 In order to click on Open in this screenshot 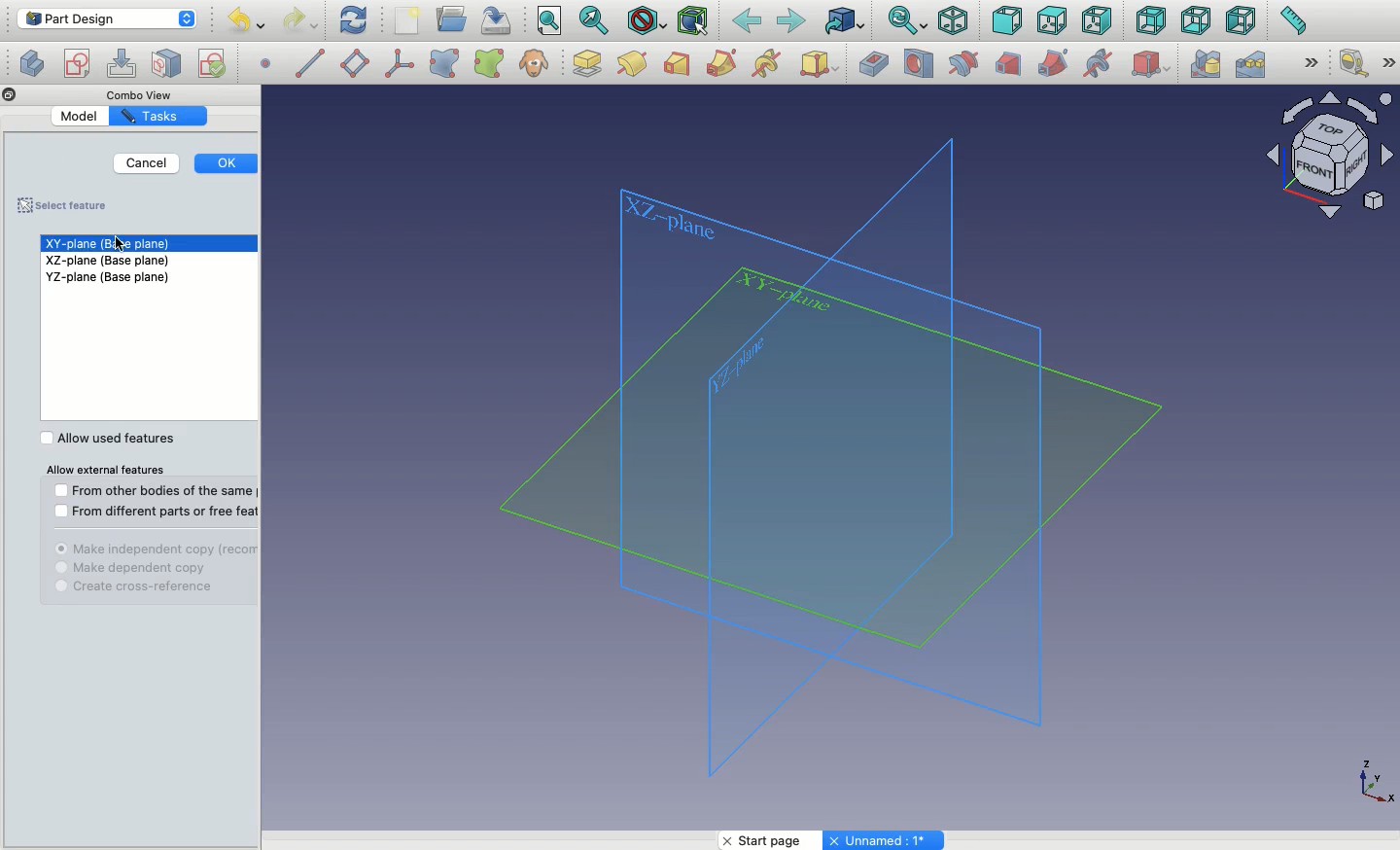, I will do `click(454, 19)`.